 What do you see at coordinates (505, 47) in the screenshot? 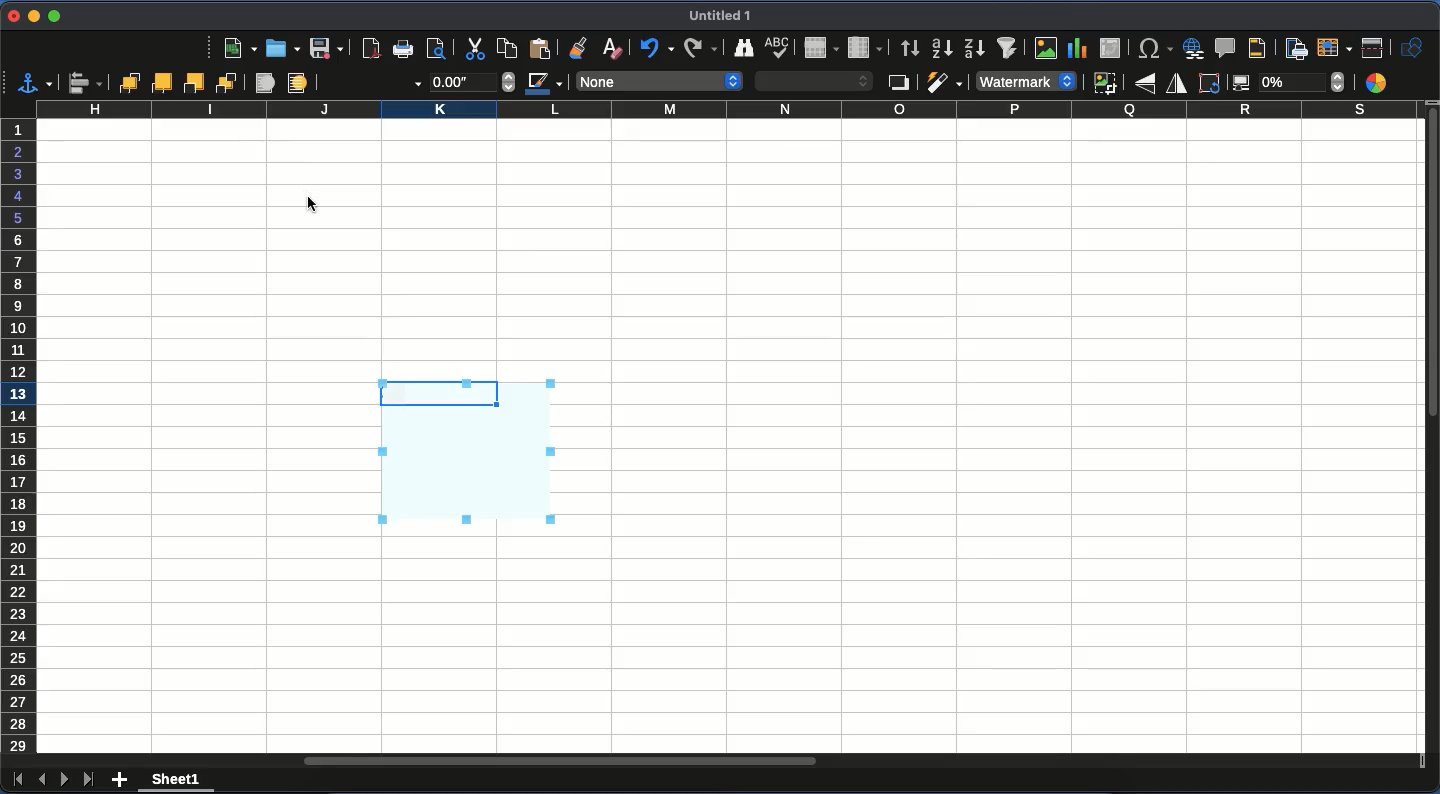
I see `paste` at bounding box center [505, 47].